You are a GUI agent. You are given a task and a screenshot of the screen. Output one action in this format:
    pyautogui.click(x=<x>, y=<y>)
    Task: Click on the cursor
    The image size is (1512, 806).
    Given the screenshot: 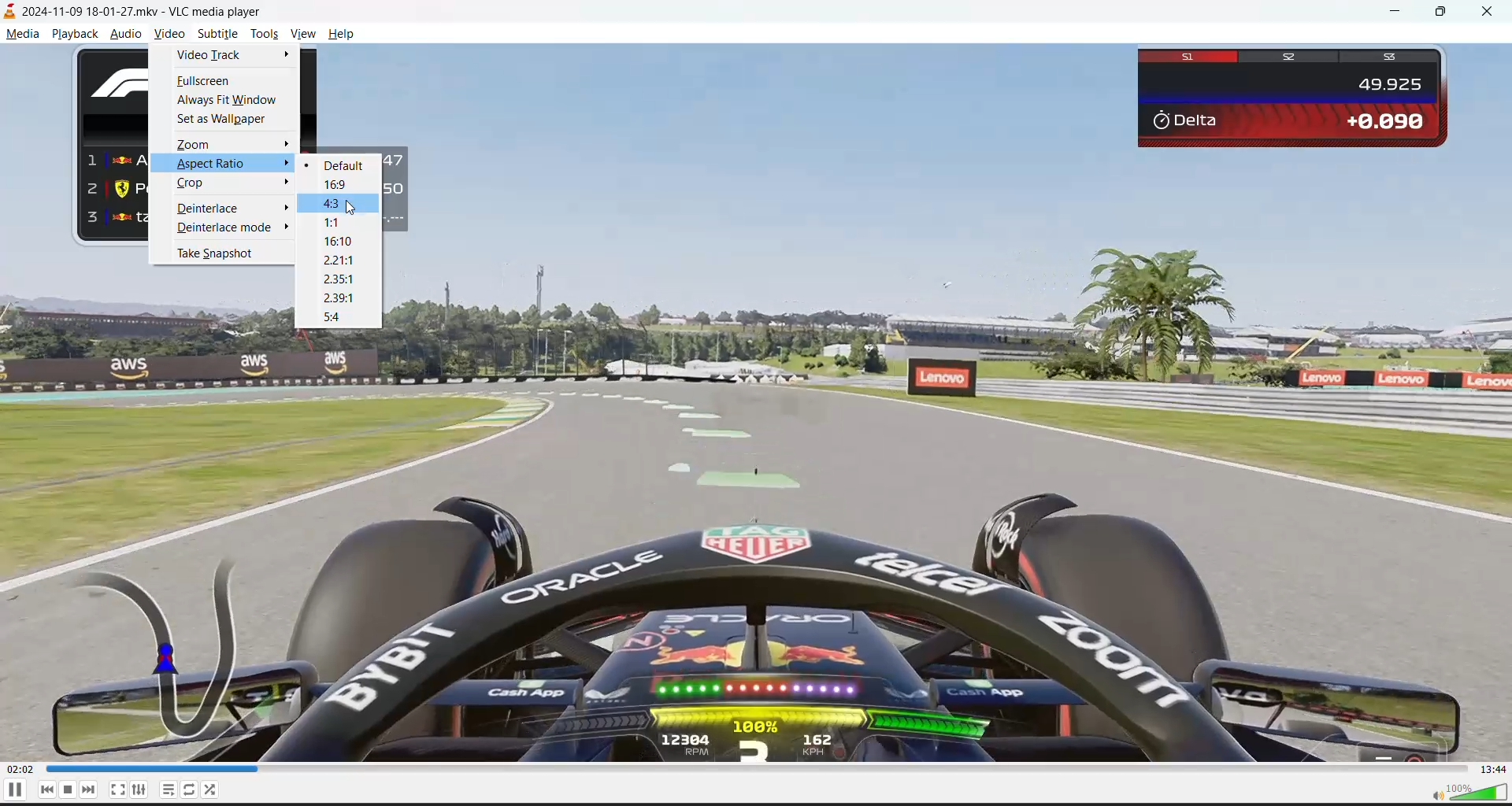 What is the action you would take?
    pyautogui.click(x=349, y=210)
    